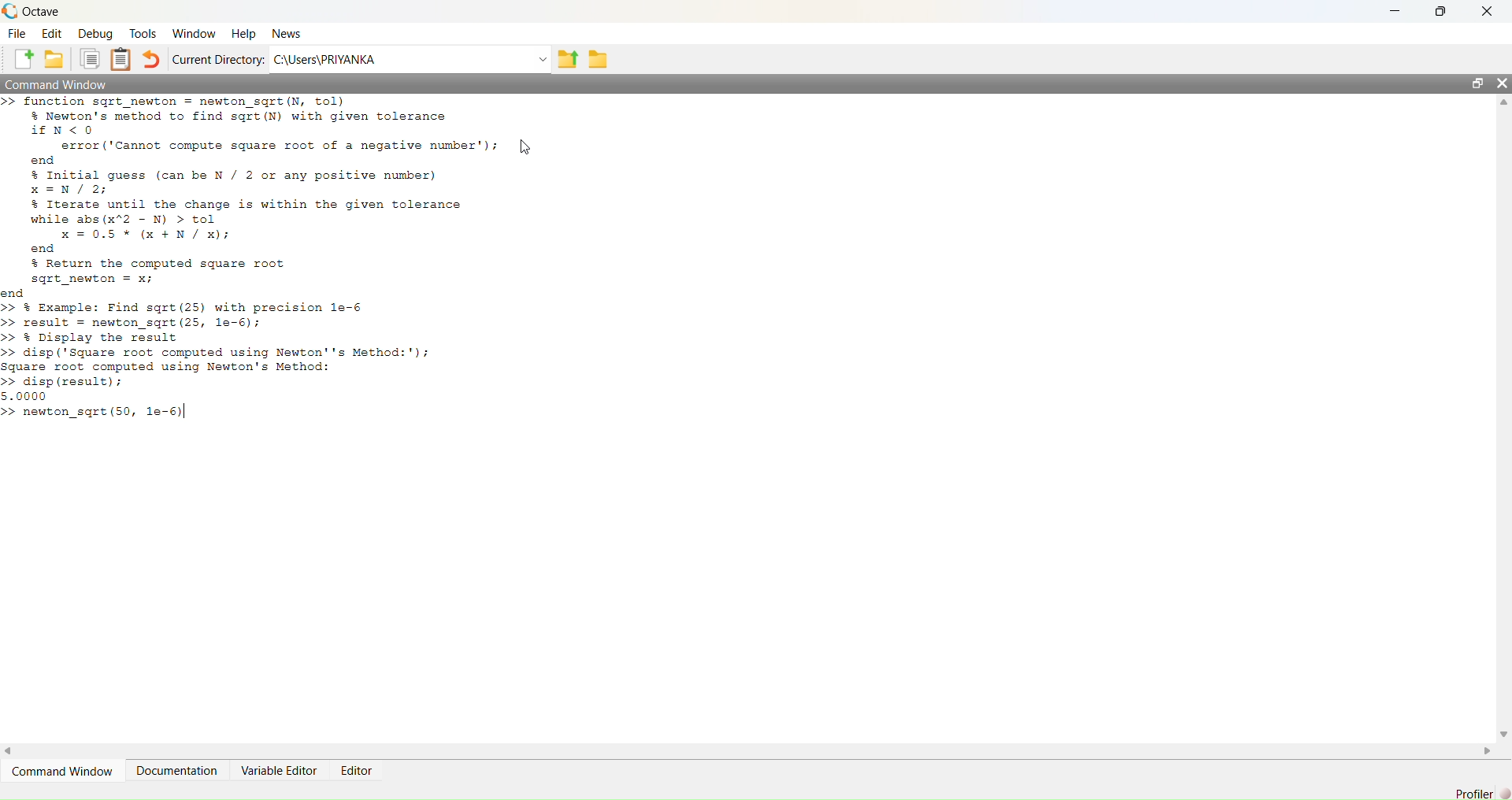 This screenshot has width=1512, height=800. Describe the element at coordinates (539, 58) in the screenshot. I see `Dropdown` at that location.